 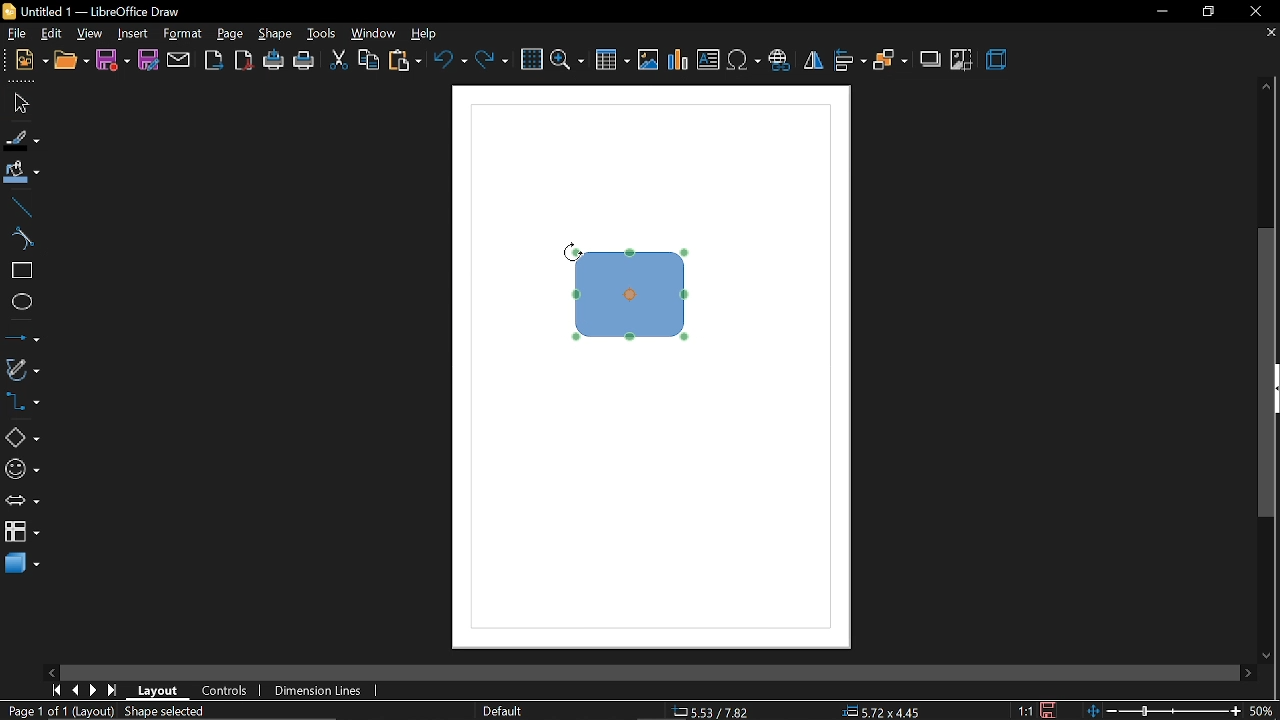 What do you see at coordinates (114, 60) in the screenshot?
I see `save` at bounding box center [114, 60].